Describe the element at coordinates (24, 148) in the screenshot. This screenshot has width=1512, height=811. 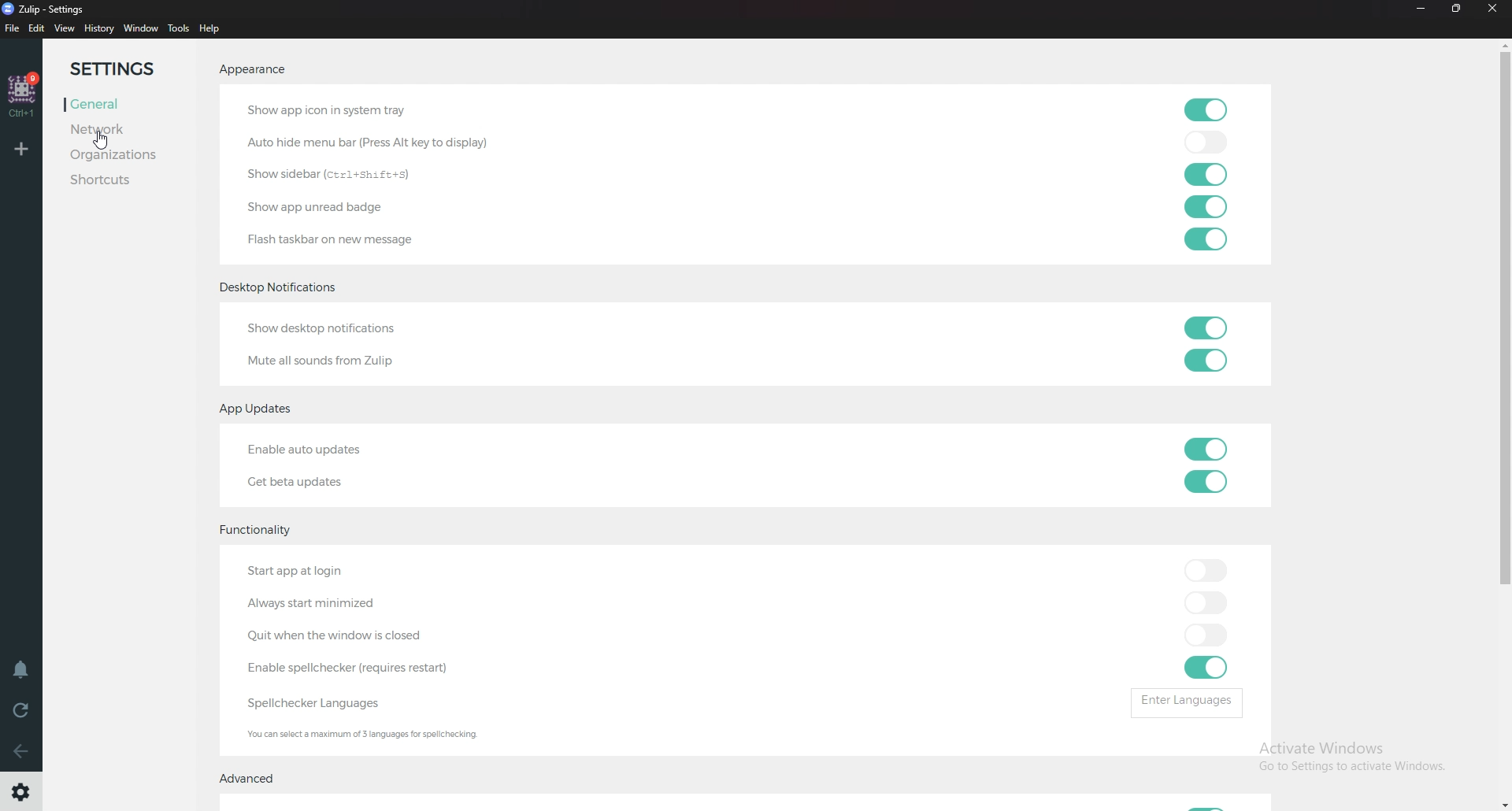
I see `Add organization` at that location.